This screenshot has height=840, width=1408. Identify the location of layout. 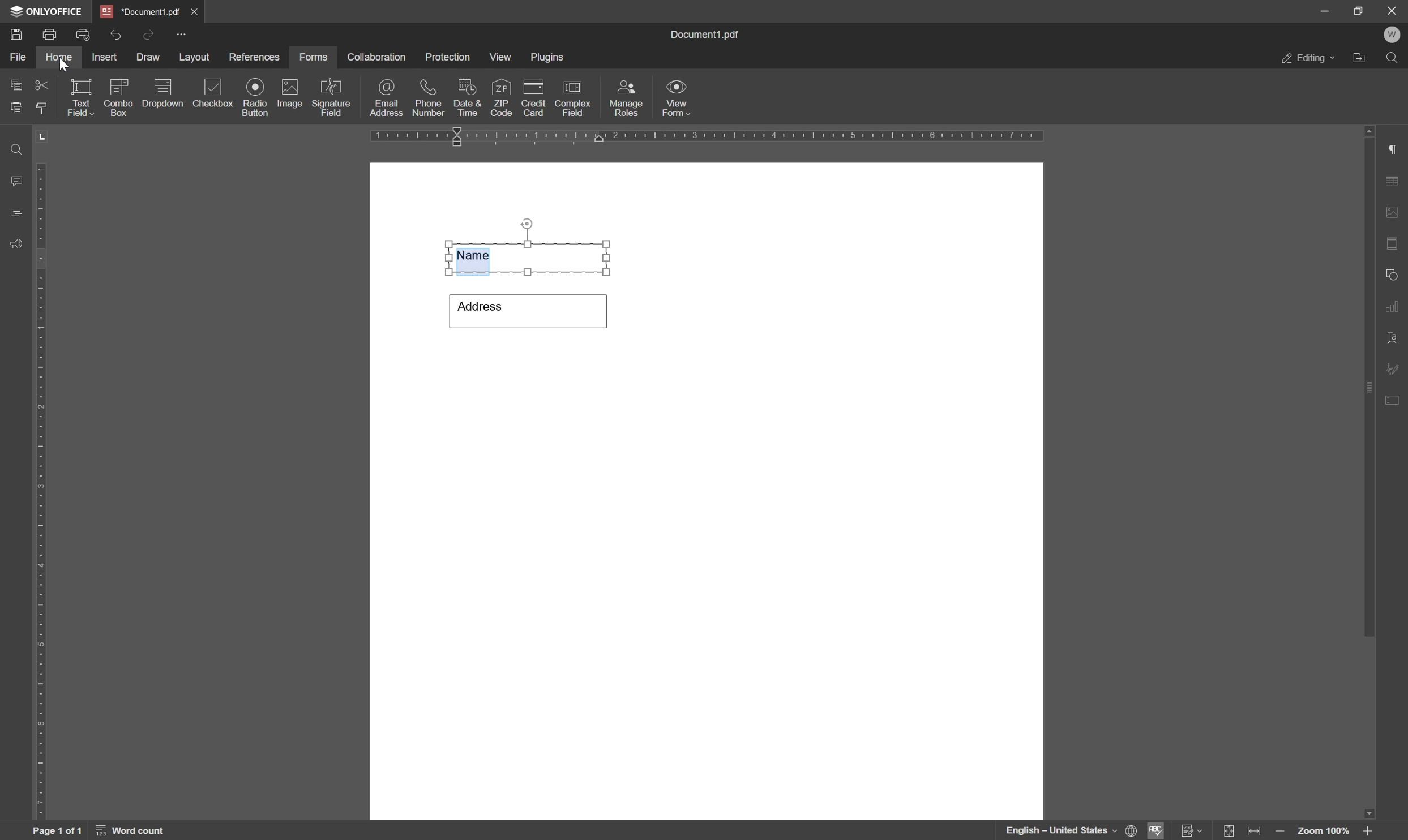
(194, 58).